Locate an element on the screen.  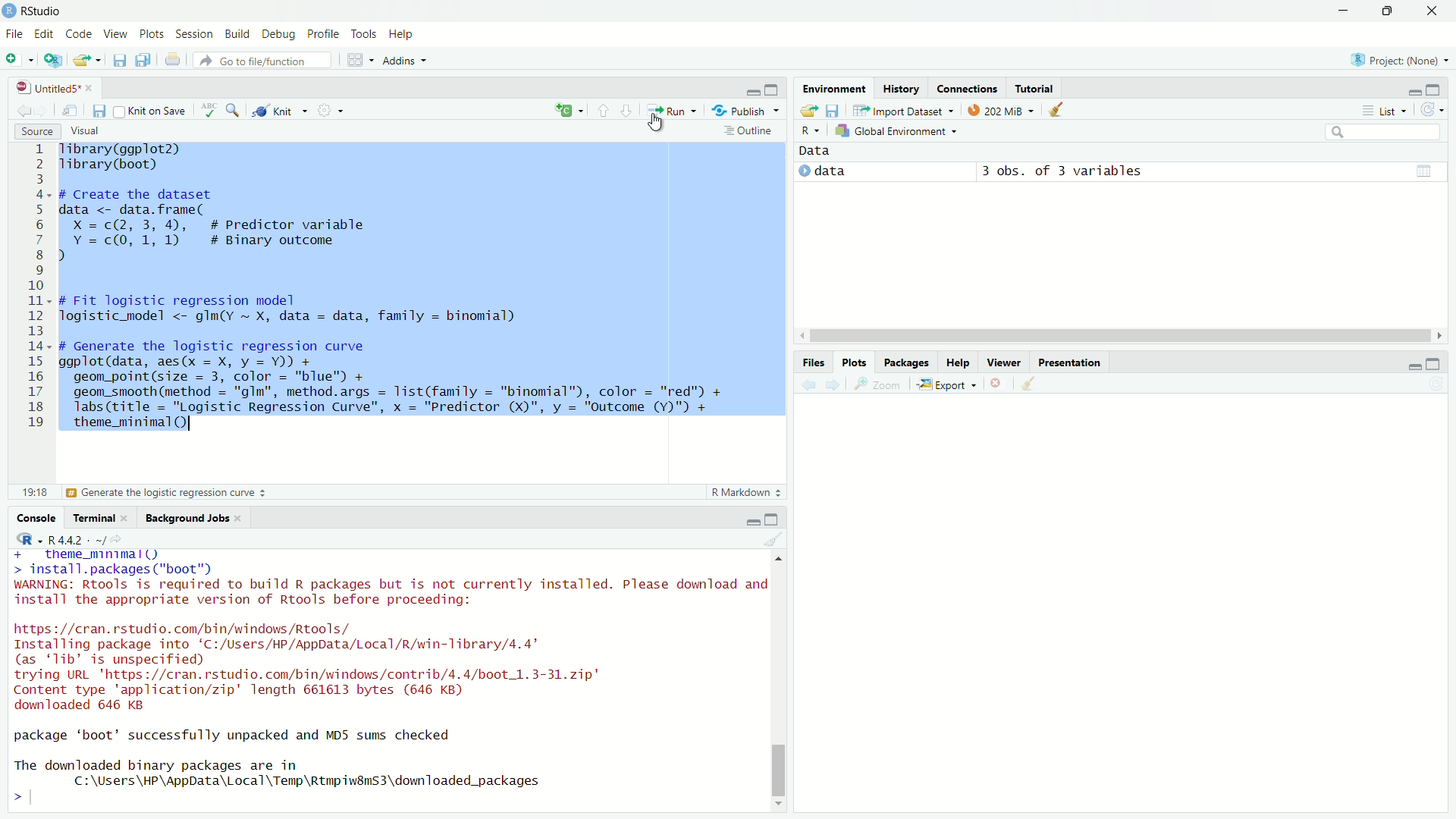
Workspace panes is located at coordinates (359, 58).